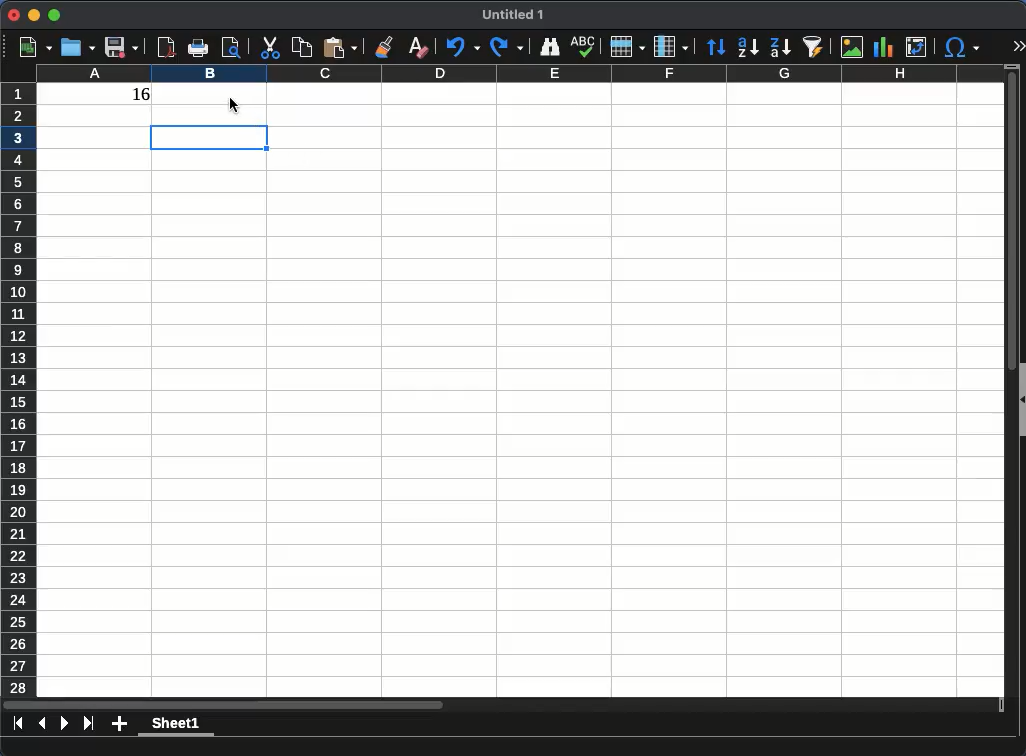  What do you see at coordinates (417, 48) in the screenshot?
I see `clear formatting` at bounding box center [417, 48].